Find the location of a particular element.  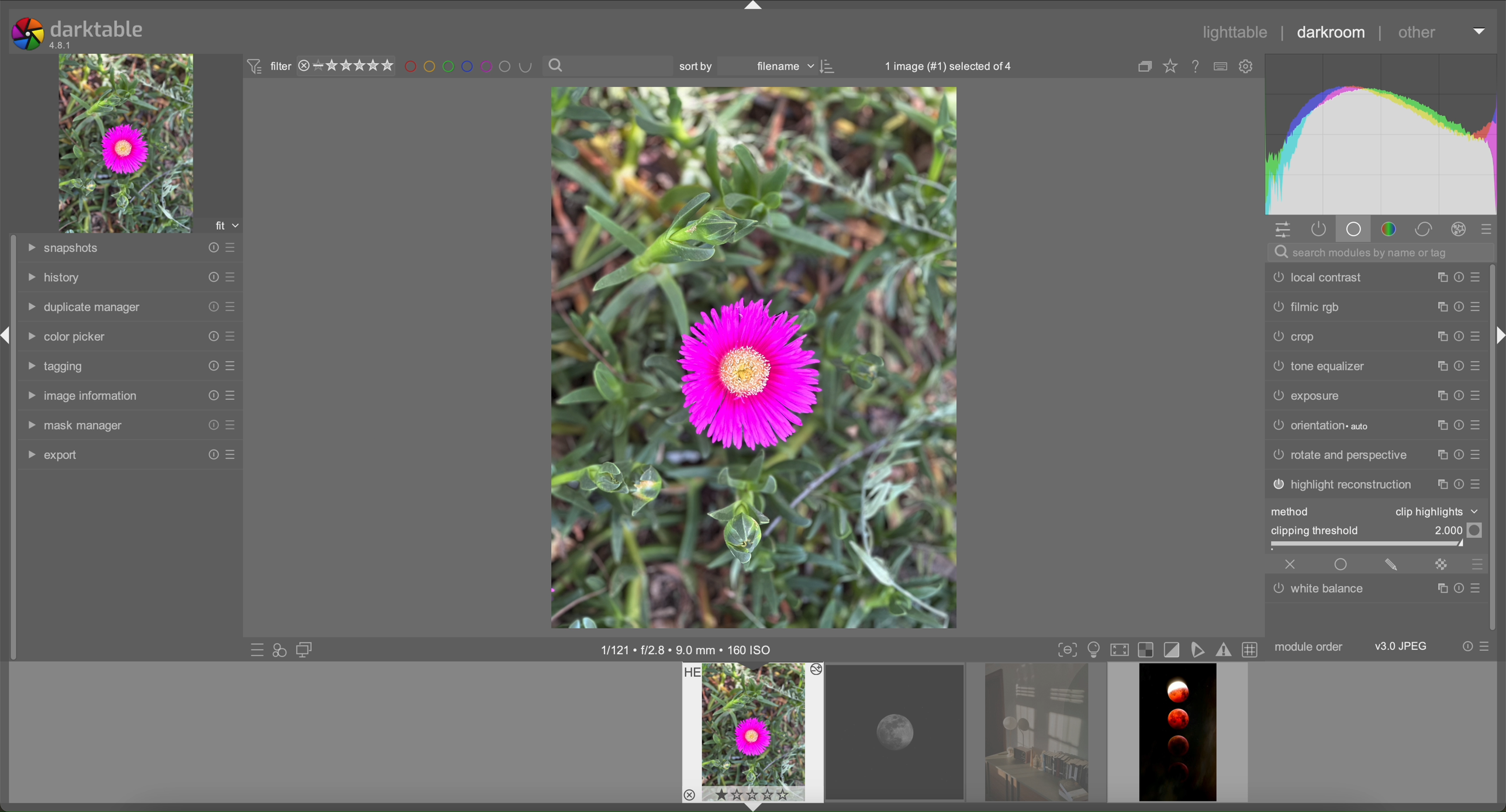

image is located at coordinates (755, 358).